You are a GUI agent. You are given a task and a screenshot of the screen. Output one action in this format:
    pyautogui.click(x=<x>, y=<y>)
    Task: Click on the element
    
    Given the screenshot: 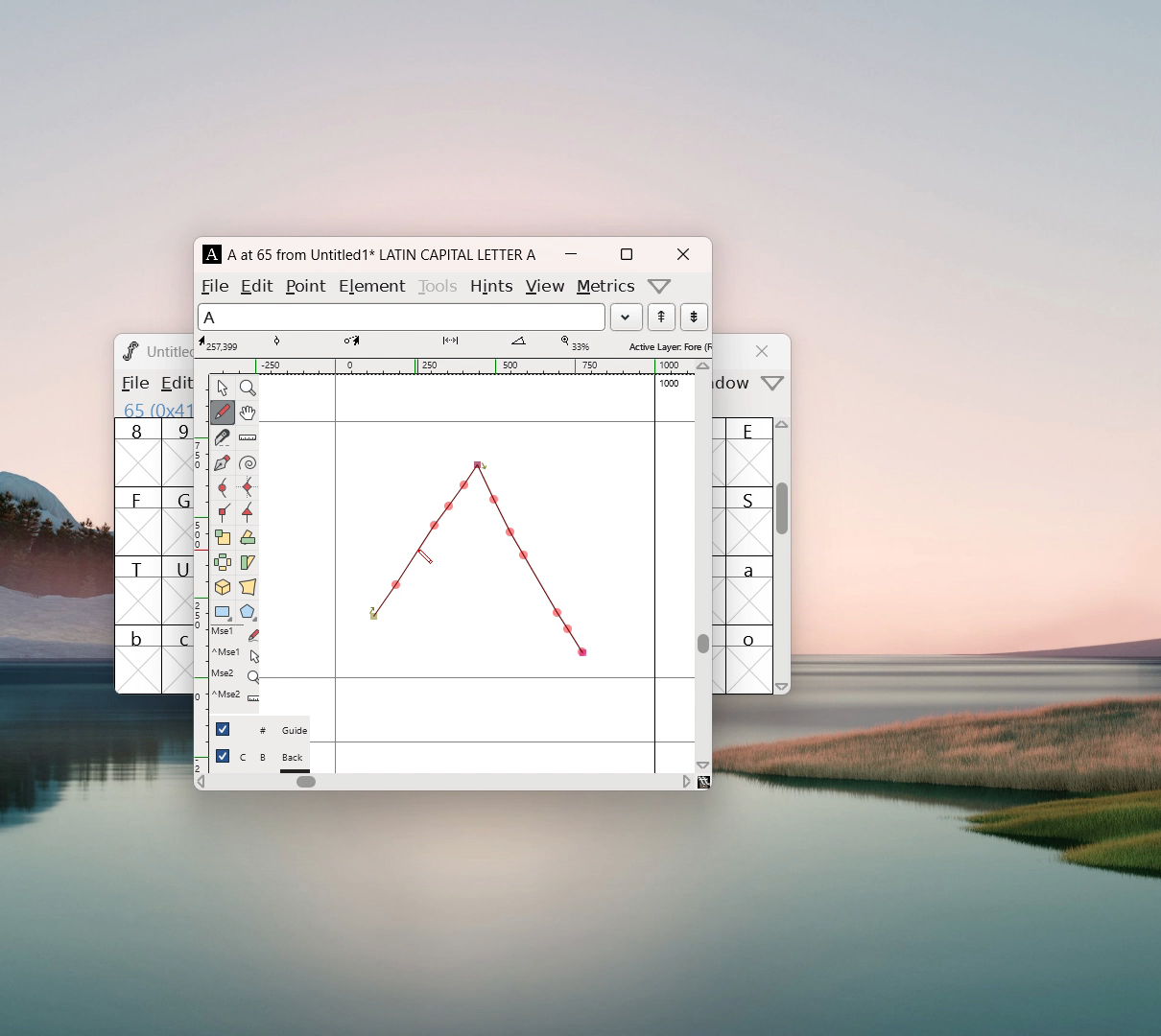 What is the action you would take?
    pyautogui.click(x=371, y=284)
    